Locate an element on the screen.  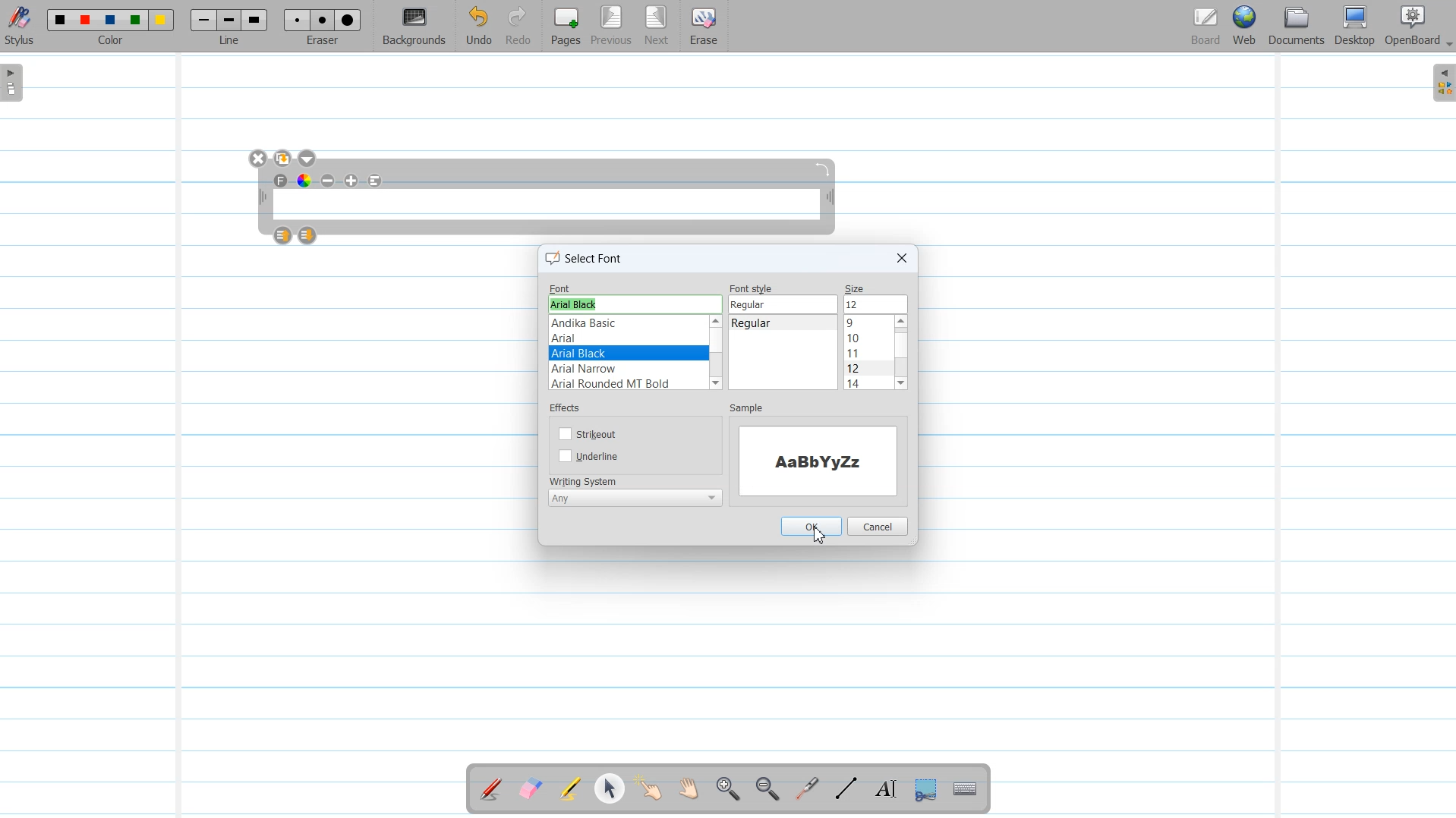
Draw Lines is located at coordinates (846, 789).